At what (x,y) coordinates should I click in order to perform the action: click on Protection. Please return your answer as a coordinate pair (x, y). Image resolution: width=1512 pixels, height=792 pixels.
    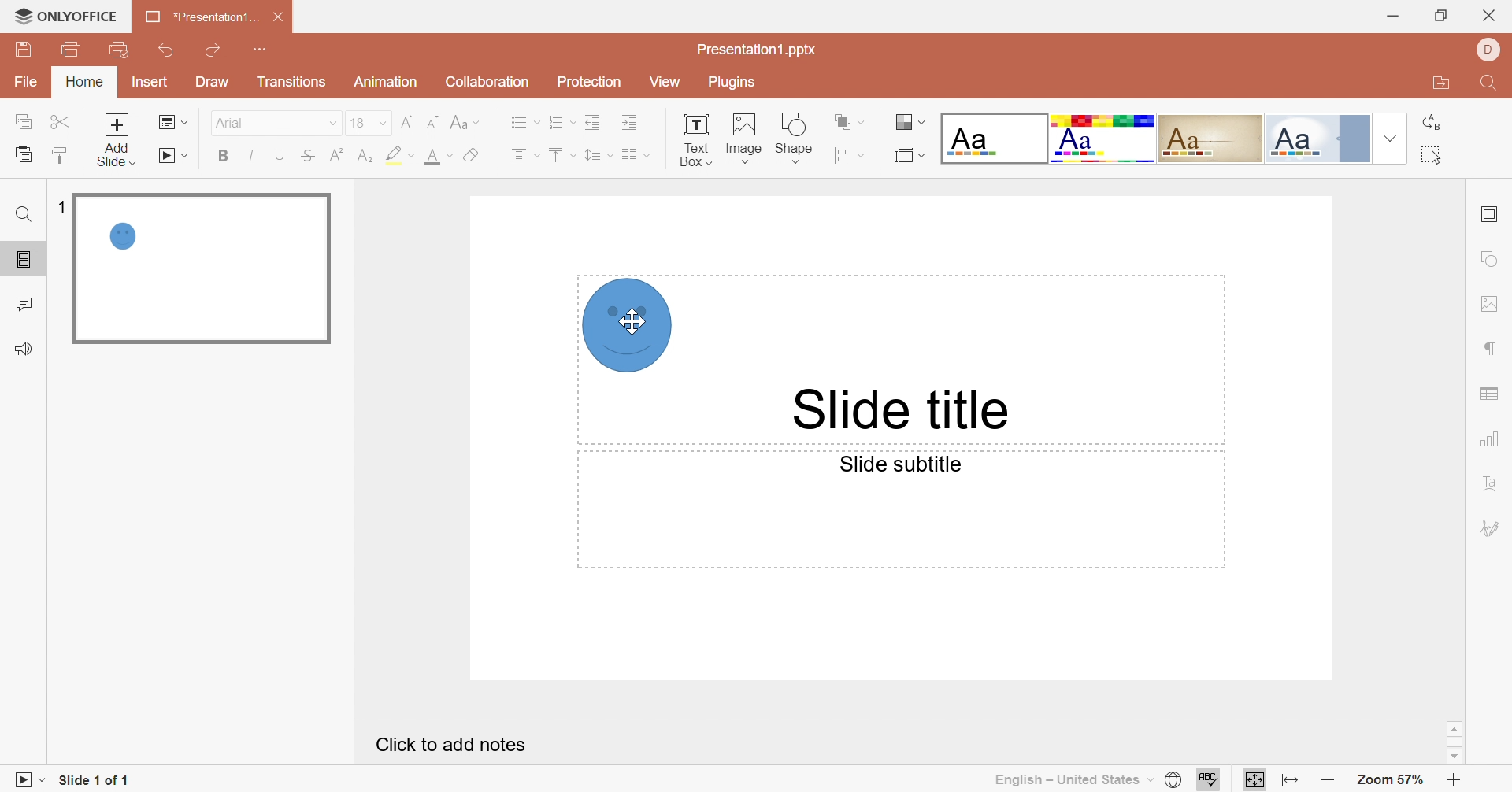
    Looking at the image, I should click on (587, 83).